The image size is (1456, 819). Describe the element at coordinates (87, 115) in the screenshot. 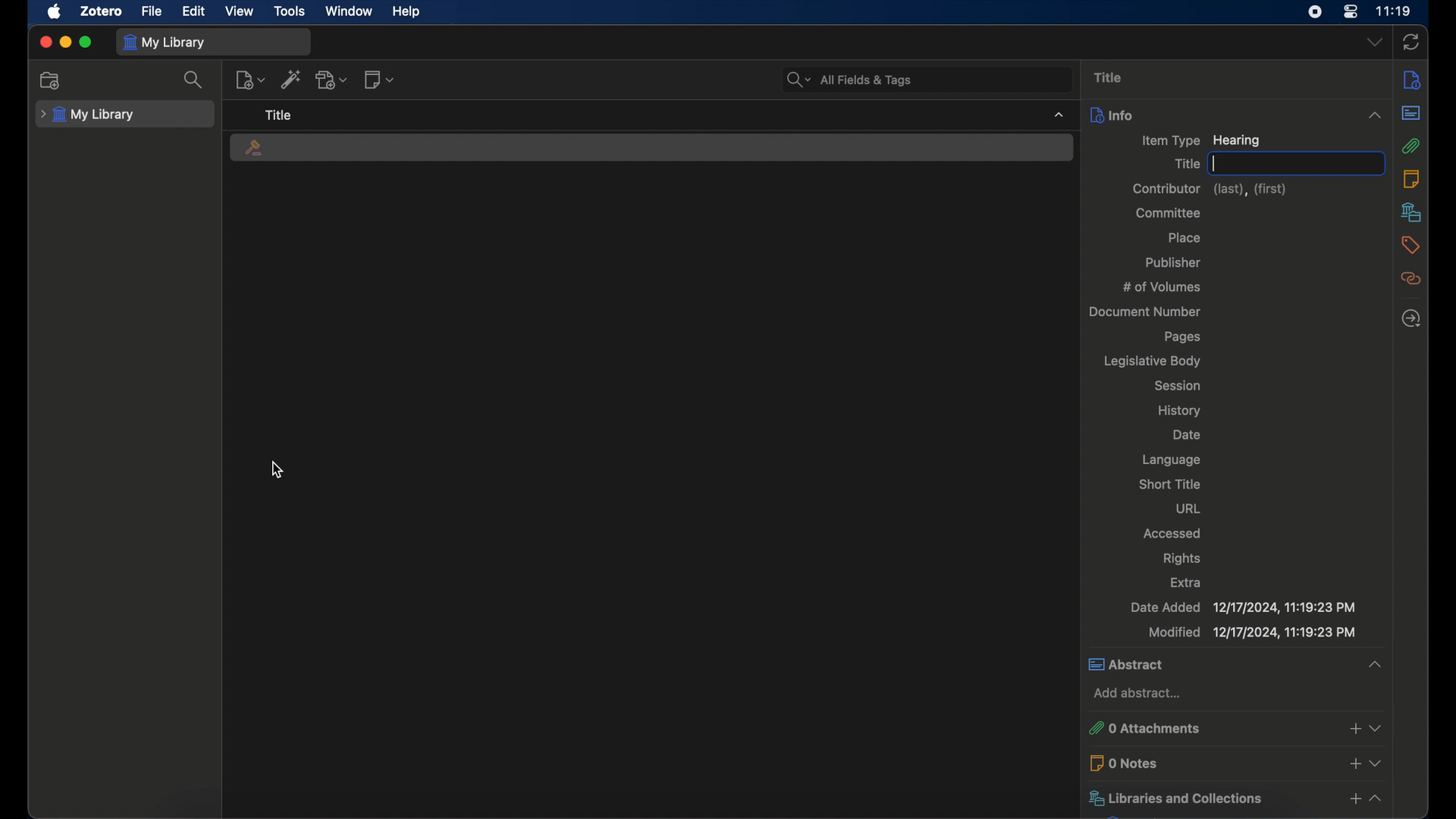

I see `my library` at that location.